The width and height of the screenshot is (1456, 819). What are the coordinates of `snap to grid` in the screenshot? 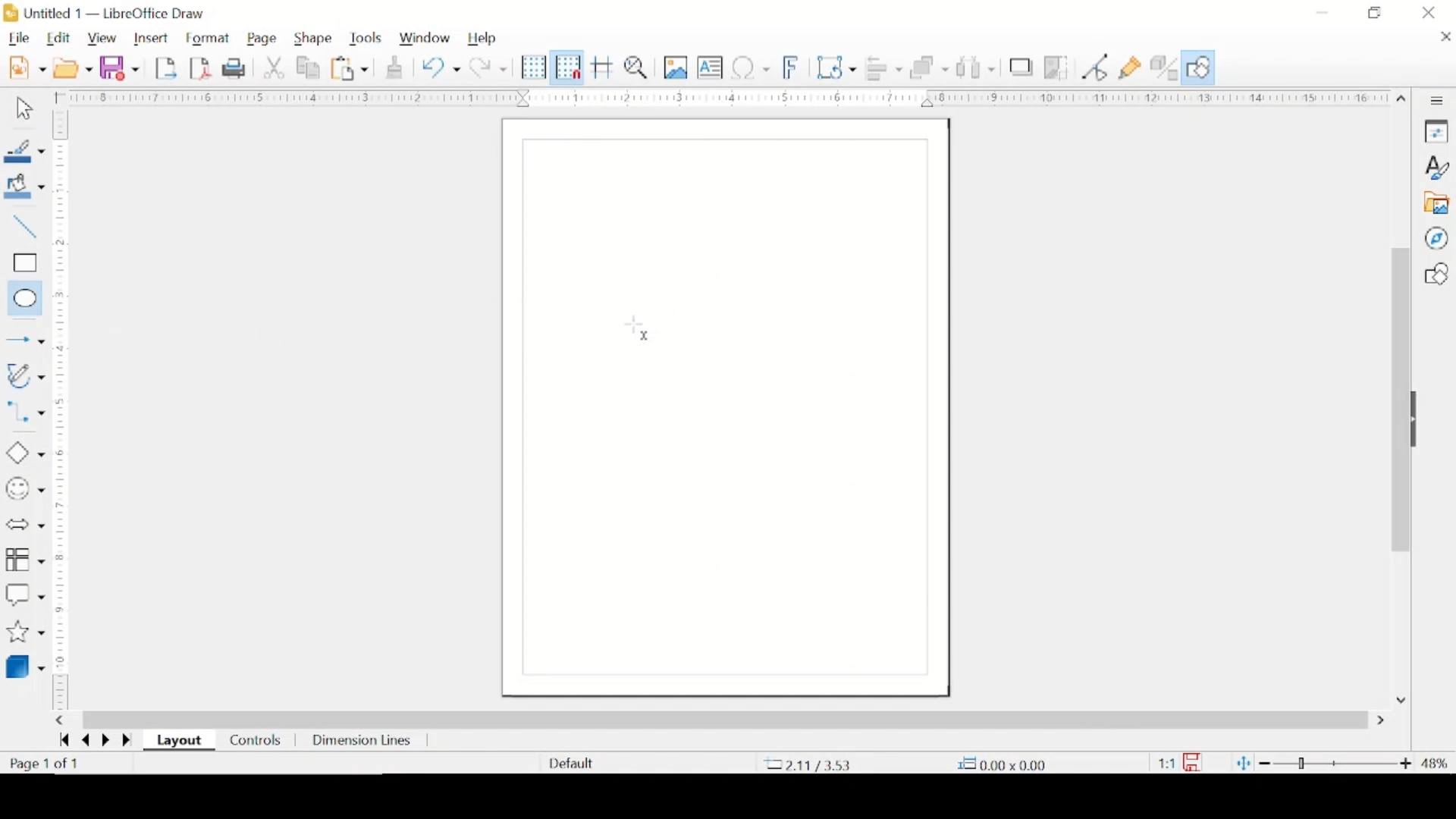 It's located at (566, 67).